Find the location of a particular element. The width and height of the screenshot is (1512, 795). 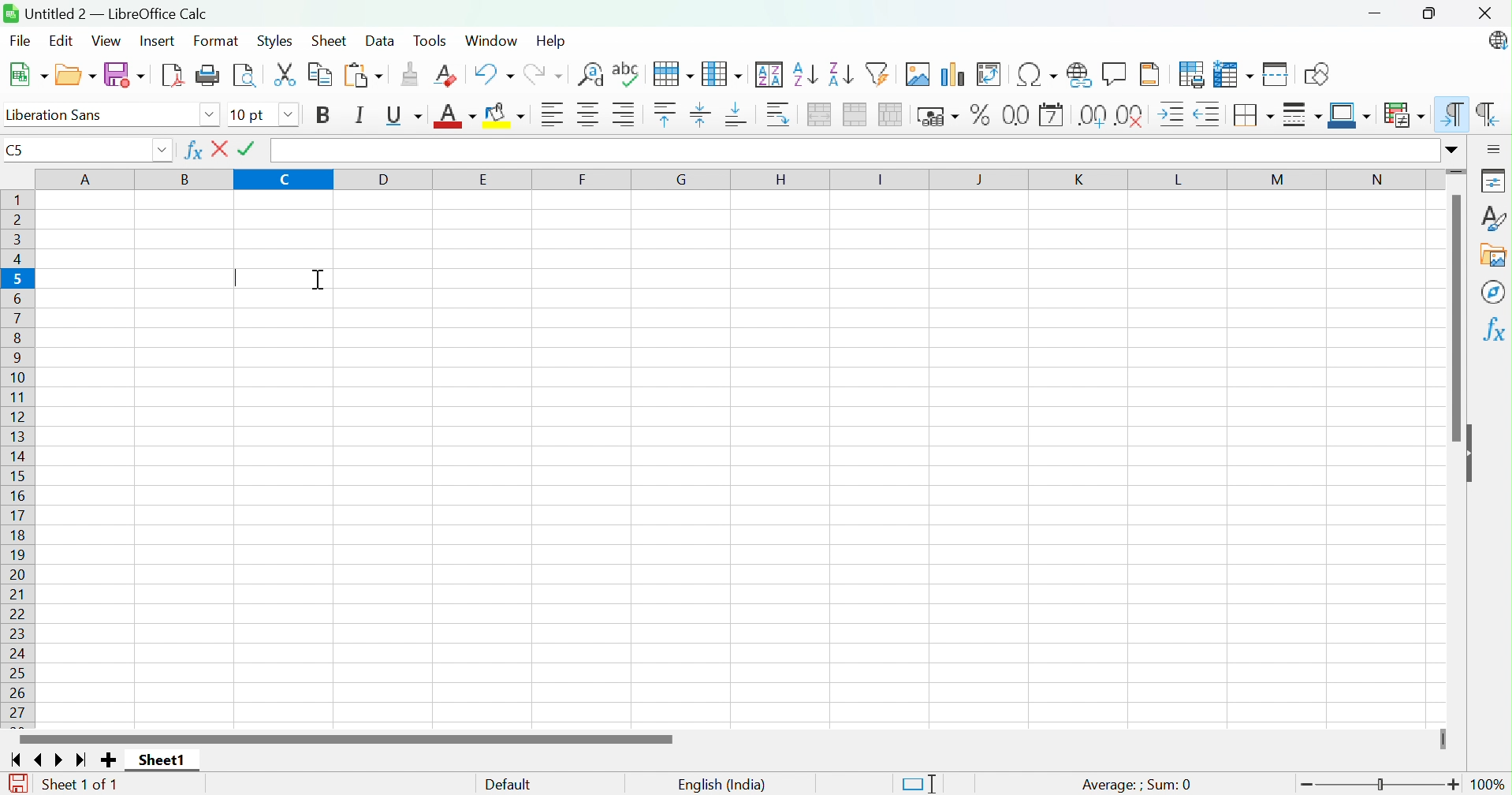

Scroll to first sheet is located at coordinates (17, 760).